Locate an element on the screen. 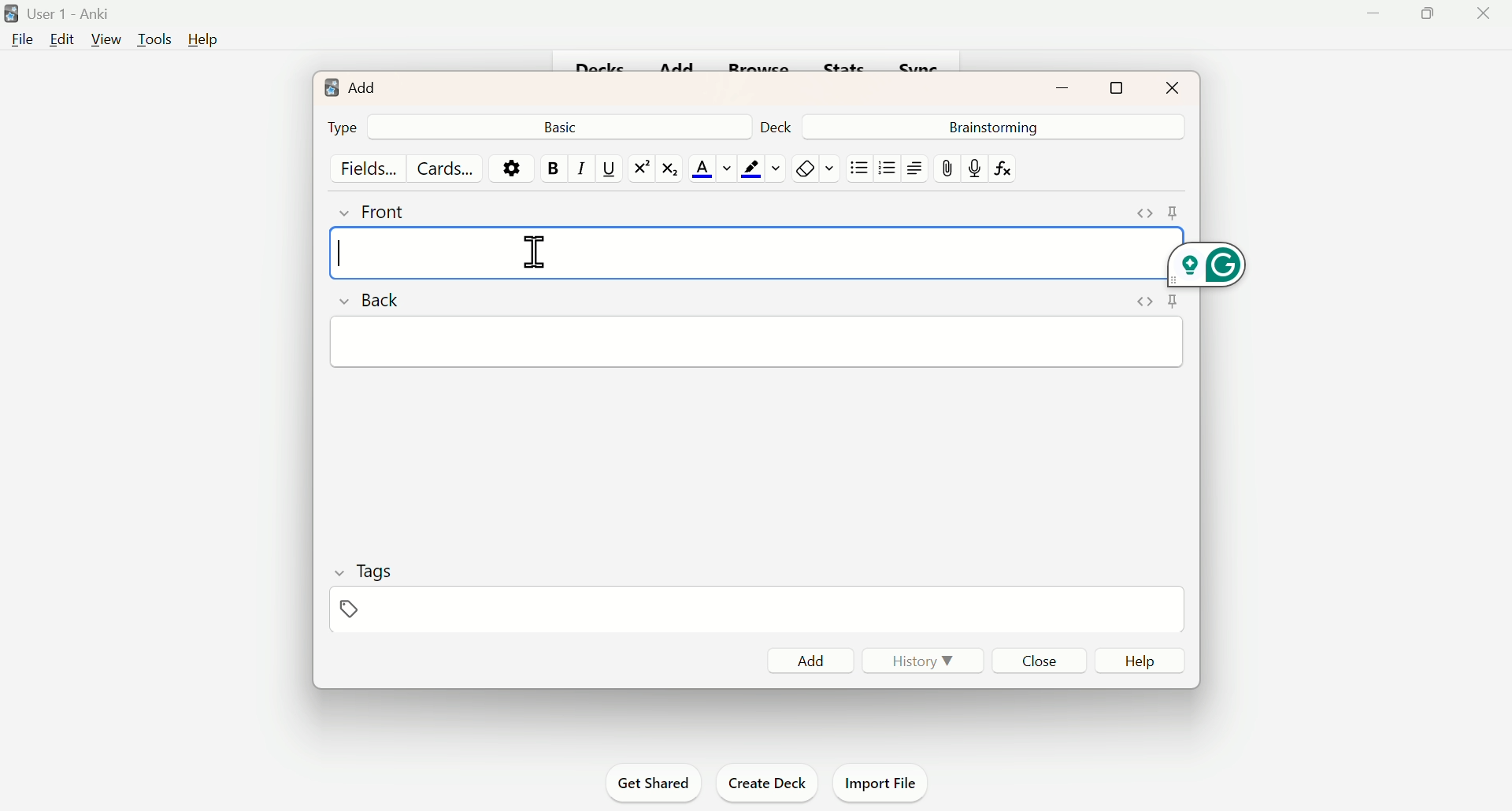  Organised List is located at coordinates (884, 167).